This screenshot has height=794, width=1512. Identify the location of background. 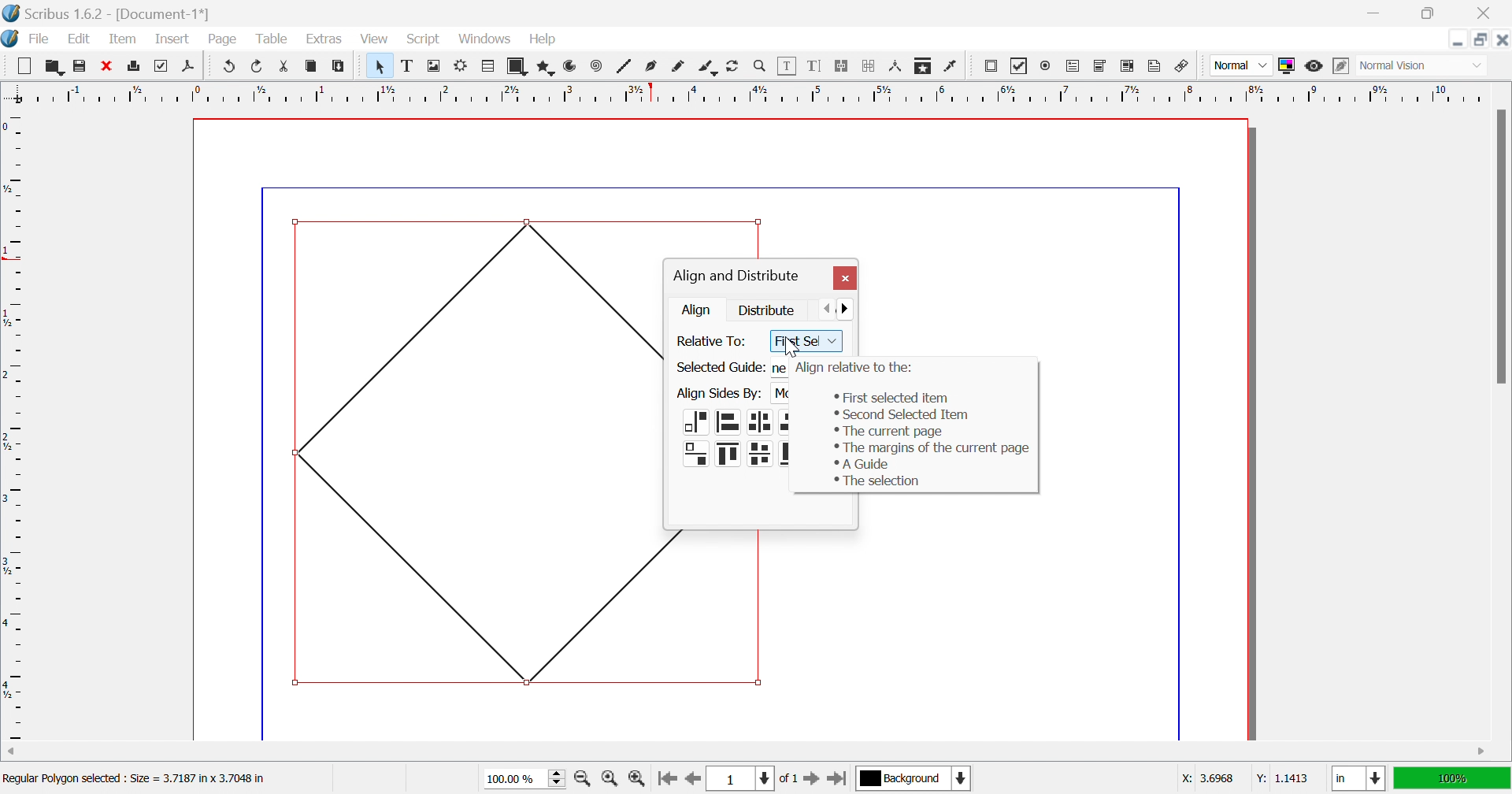
(915, 777).